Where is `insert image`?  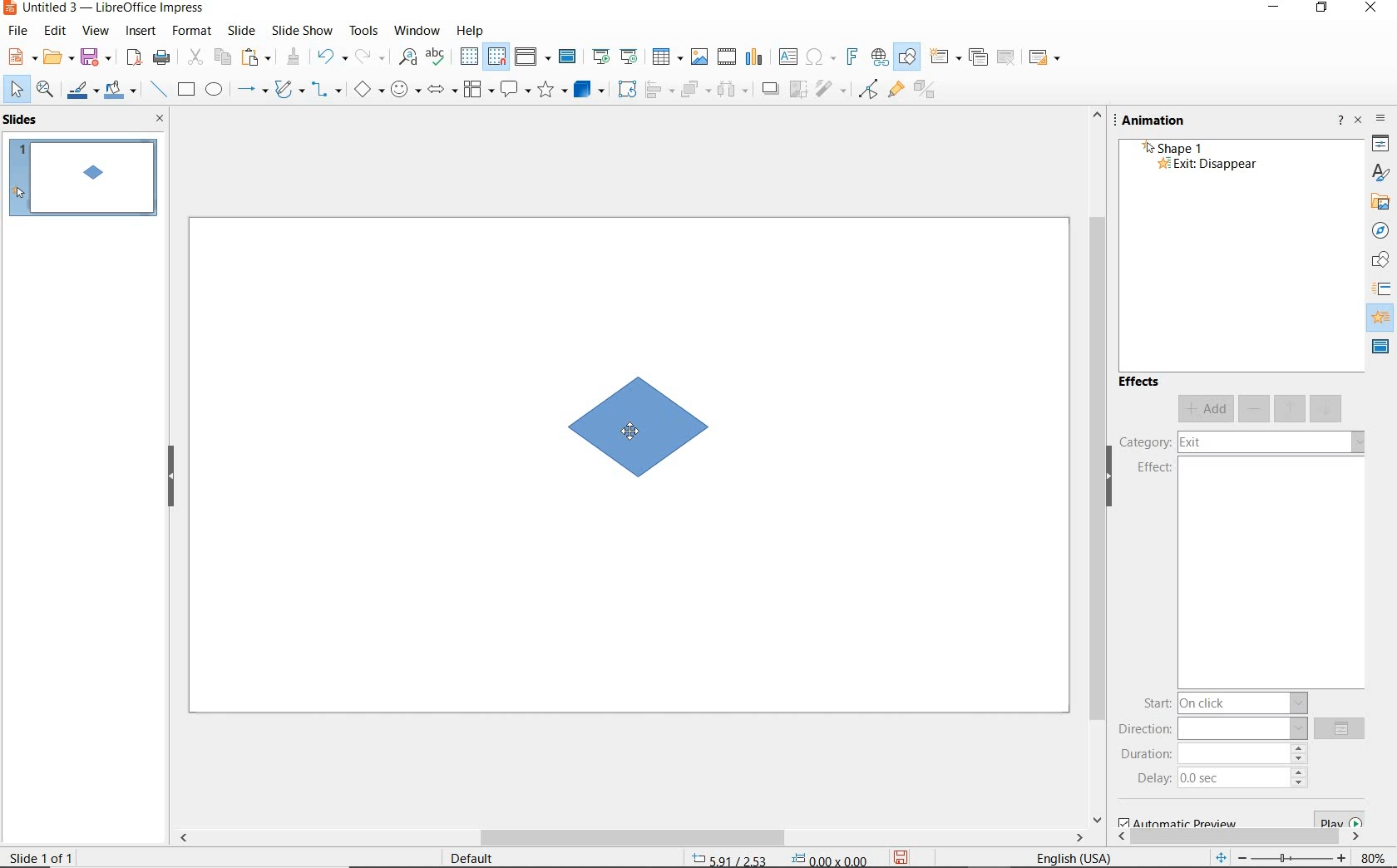 insert image is located at coordinates (702, 57).